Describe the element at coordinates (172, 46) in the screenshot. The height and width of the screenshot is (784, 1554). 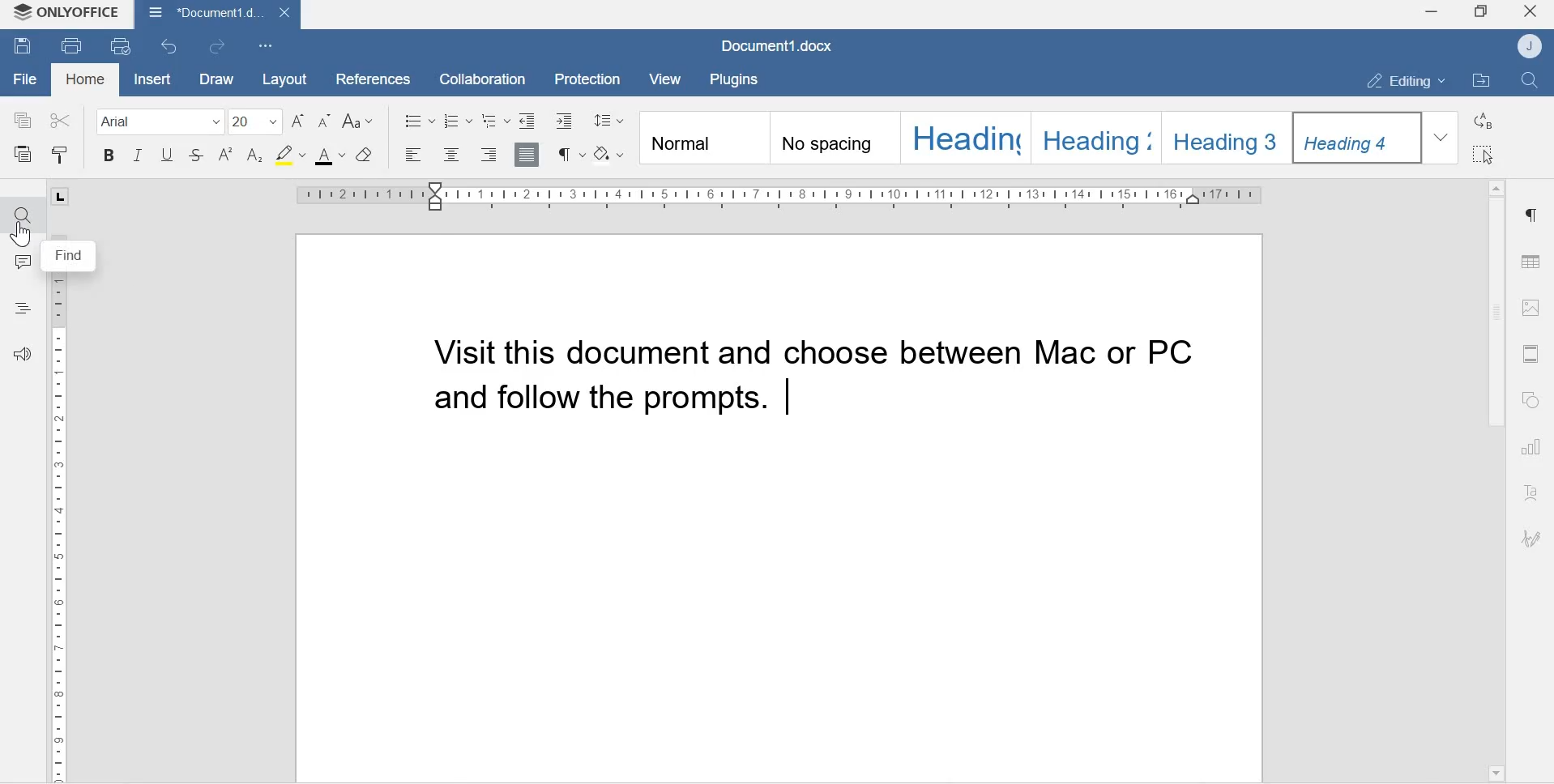
I see `Undo` at that location.